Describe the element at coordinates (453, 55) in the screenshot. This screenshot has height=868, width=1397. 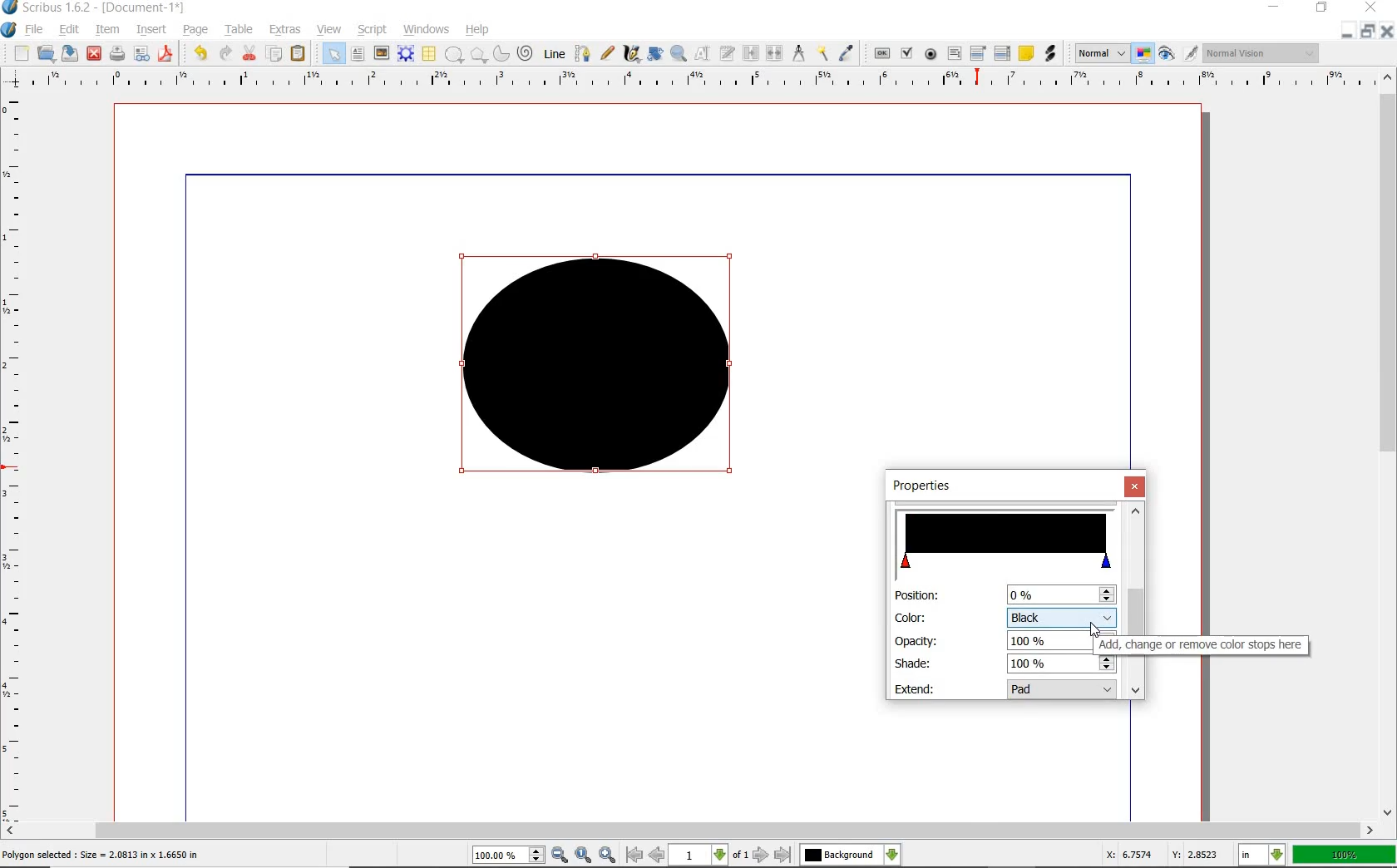
I see `SHAPE` at that location.